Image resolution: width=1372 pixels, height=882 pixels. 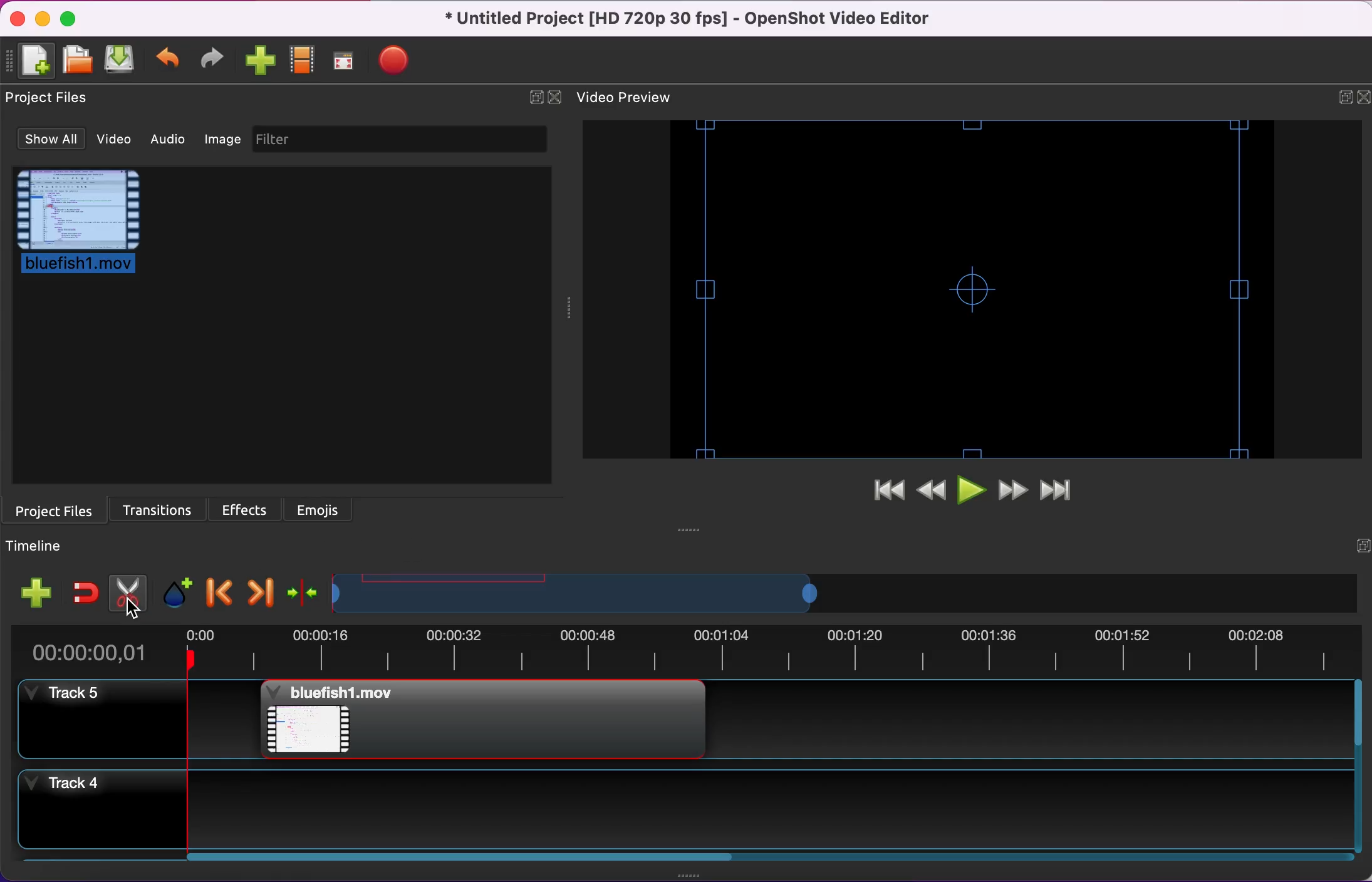 I want to click on Cursor, so click(x=134, y=611).